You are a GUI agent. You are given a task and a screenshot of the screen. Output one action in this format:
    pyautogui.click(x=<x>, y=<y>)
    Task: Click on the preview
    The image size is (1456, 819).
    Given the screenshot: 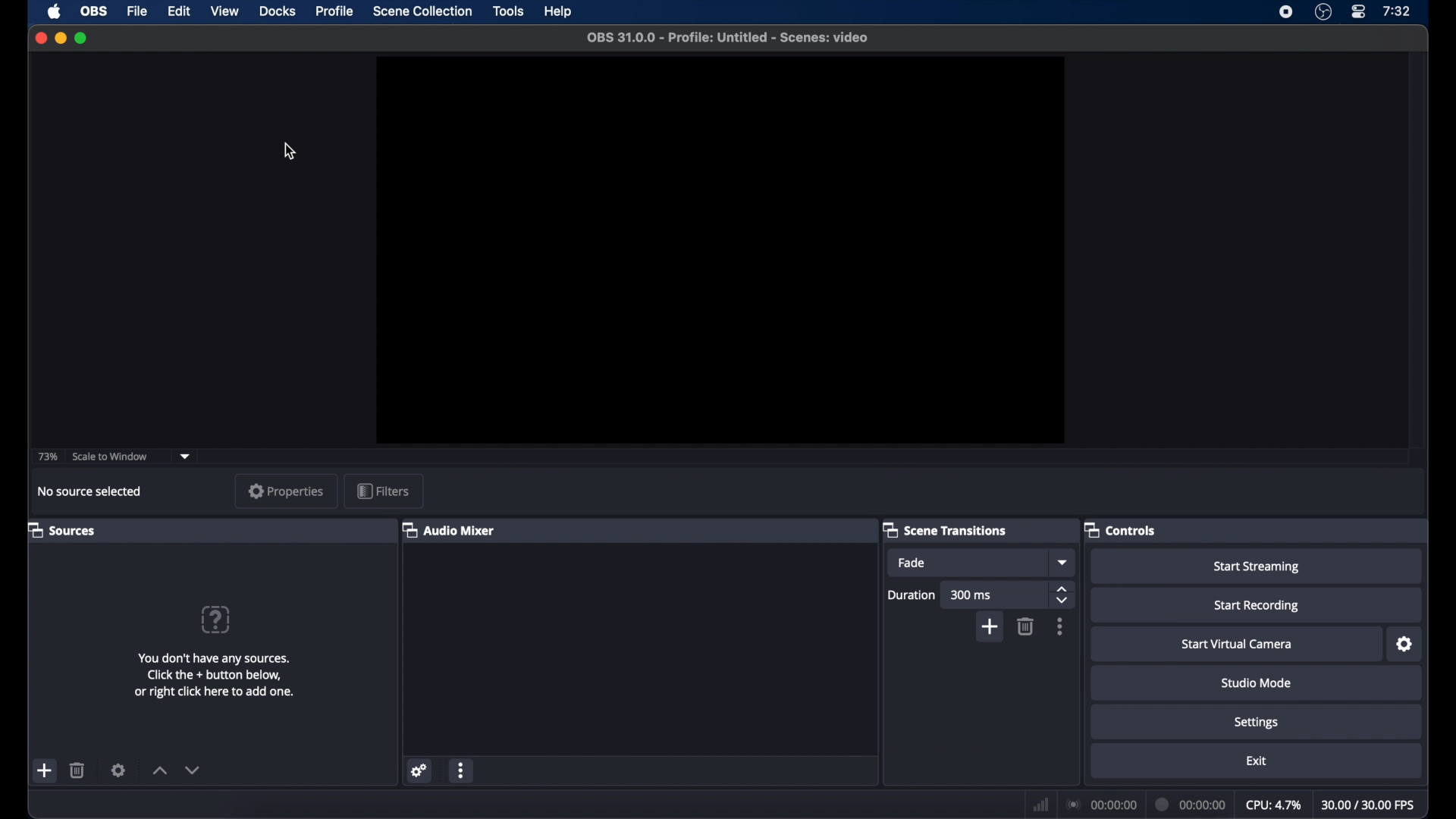 What is the action you would take?
    pyautogui.click(x=720, y=254)
    